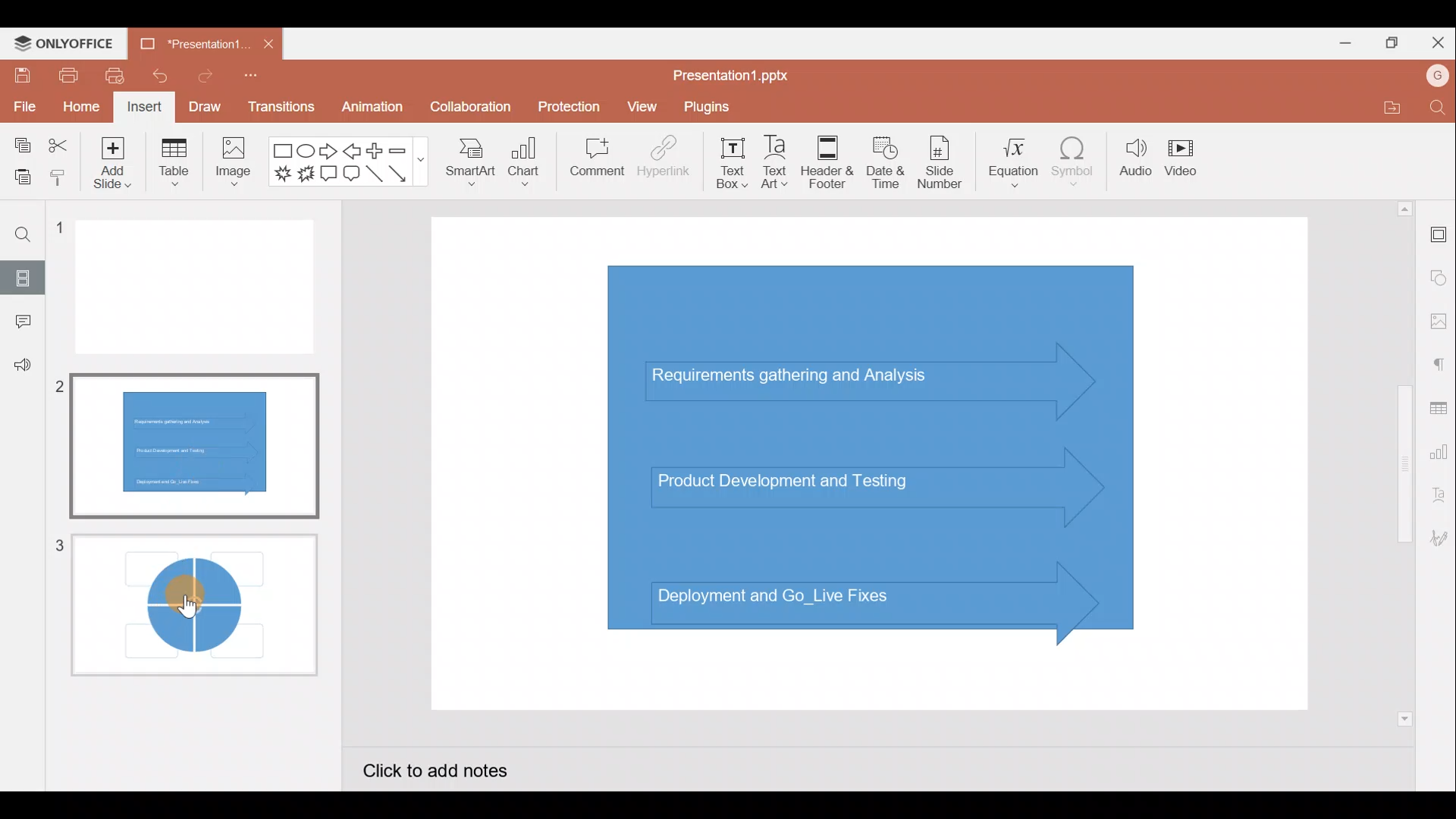 This screenshot has height=819, width=1456. What do you see at coordinates (20, 76) in the screenshot?
I see `Save` at bounding box center [20, 76].